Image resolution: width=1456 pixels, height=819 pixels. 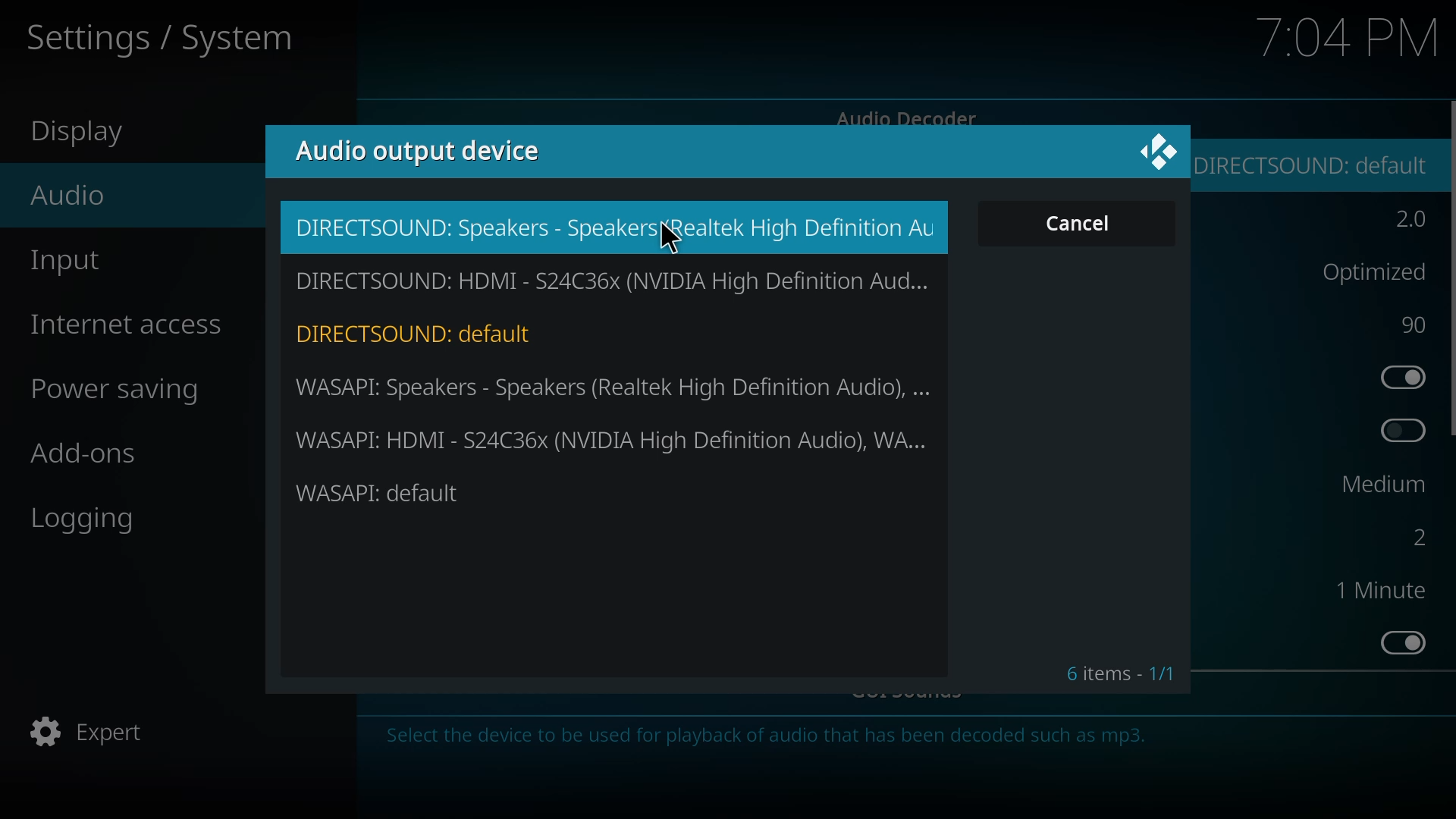 What do you see at coordinates (84, 457) in the screenshot?
I see `add-ons` at bounding box center [84, 457].